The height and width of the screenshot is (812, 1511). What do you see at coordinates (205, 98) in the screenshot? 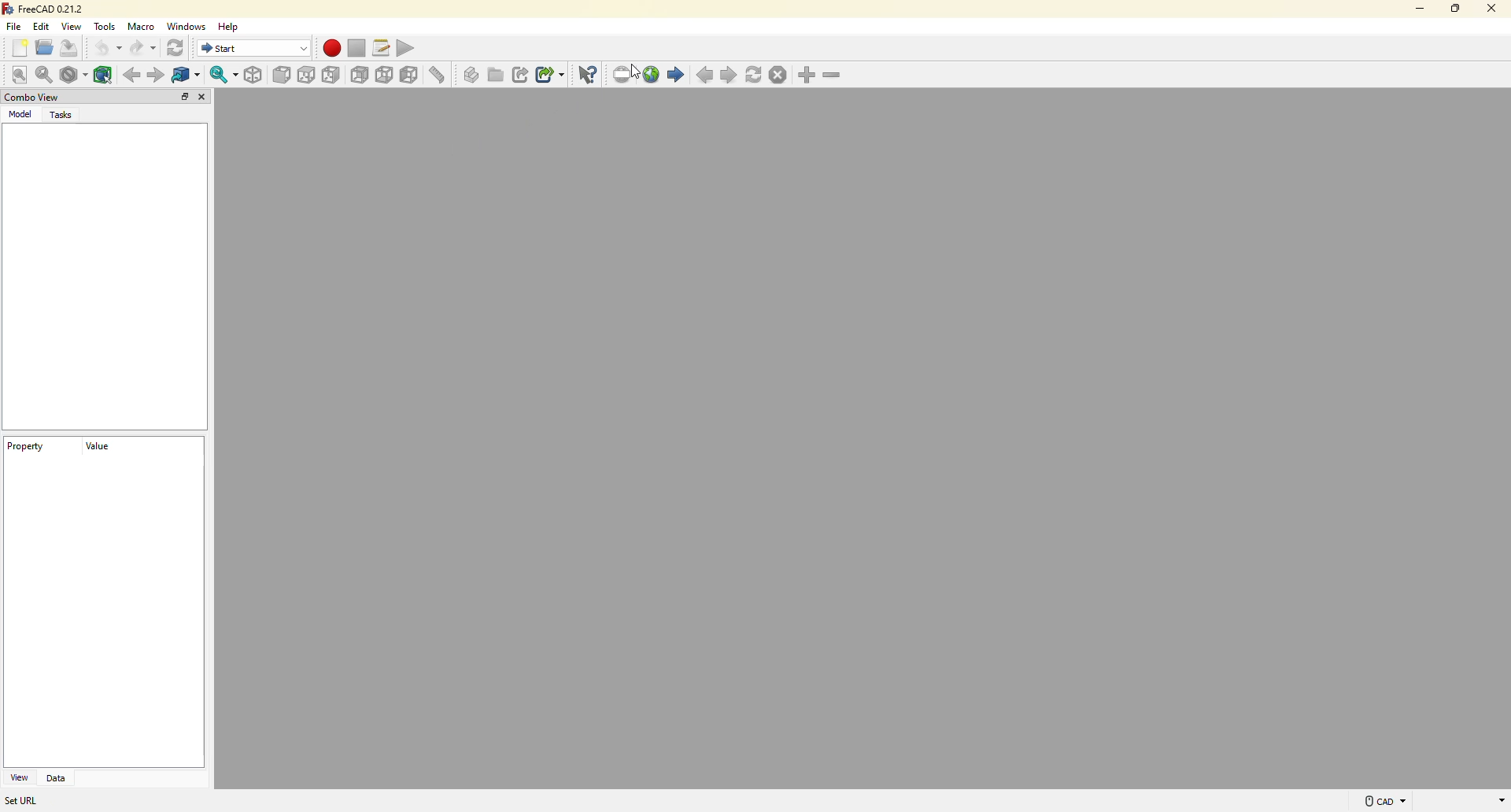
I see `close` at bounding box center [205, 98].